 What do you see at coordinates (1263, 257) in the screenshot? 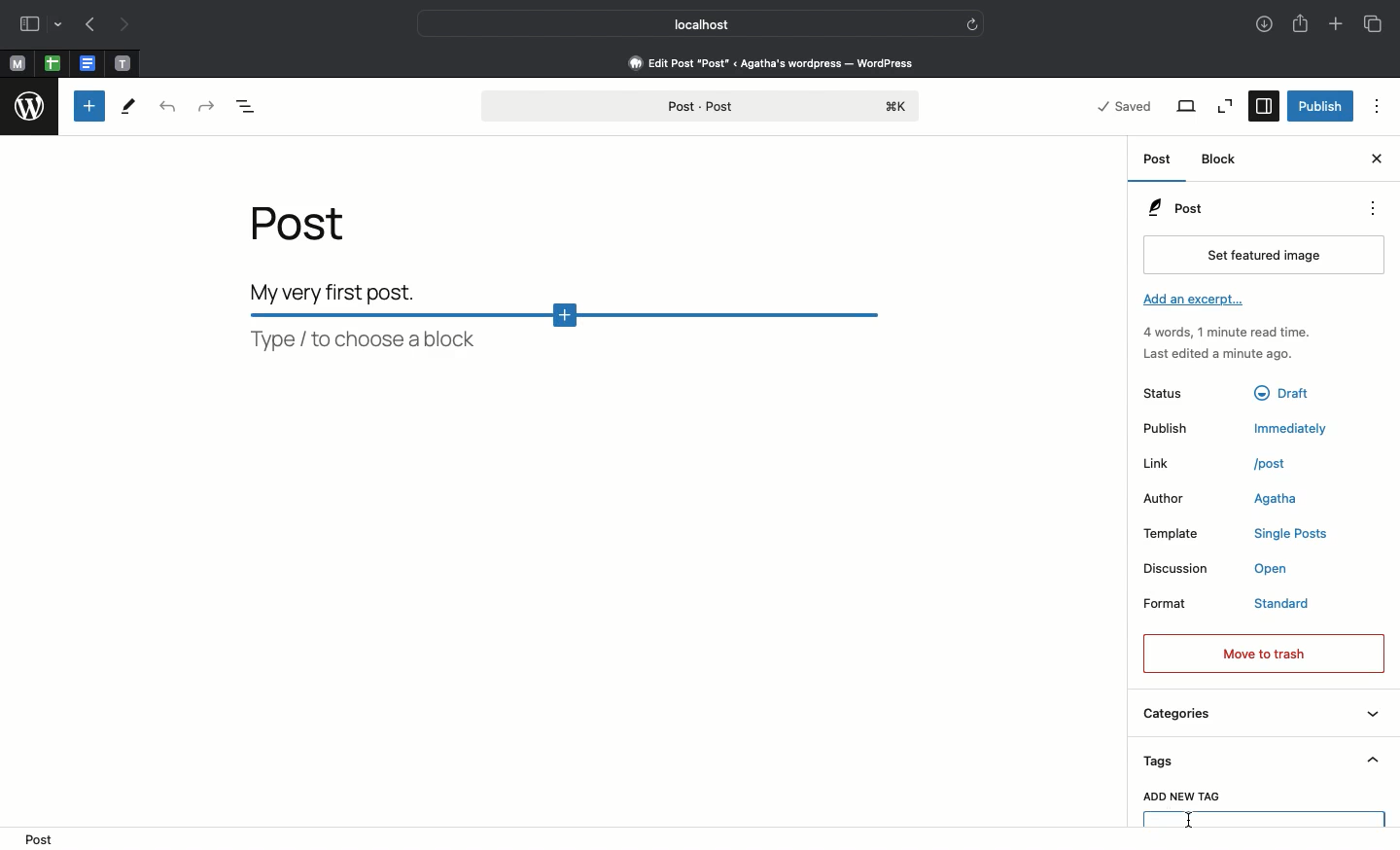
I see `Set featured image` at bounding box center [1263, 257].